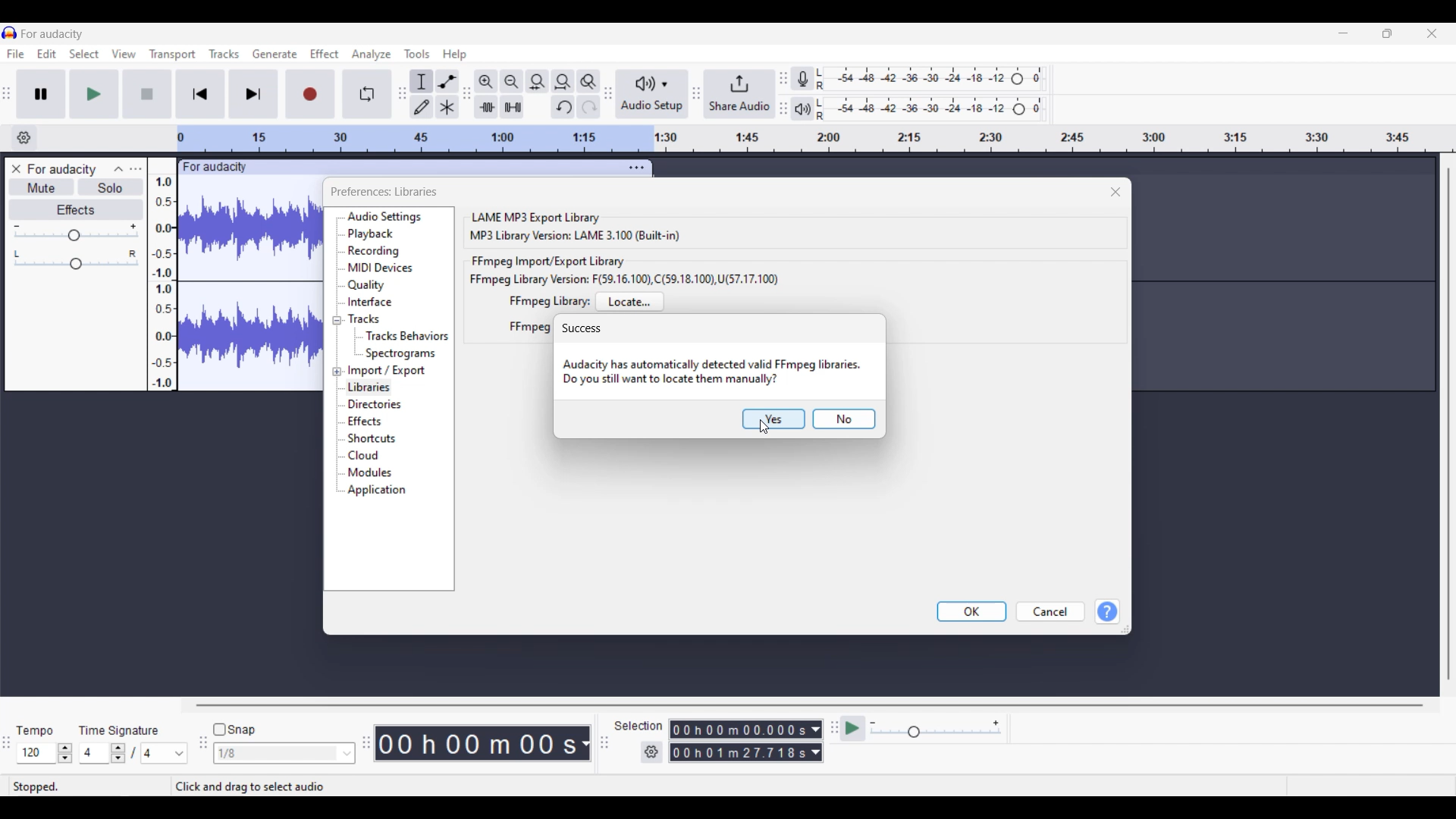 This screenshot has height=819, width=1456. Describe the element at coordinates (94, 94) in the screenshot. I see `Play/Play once` at that location.